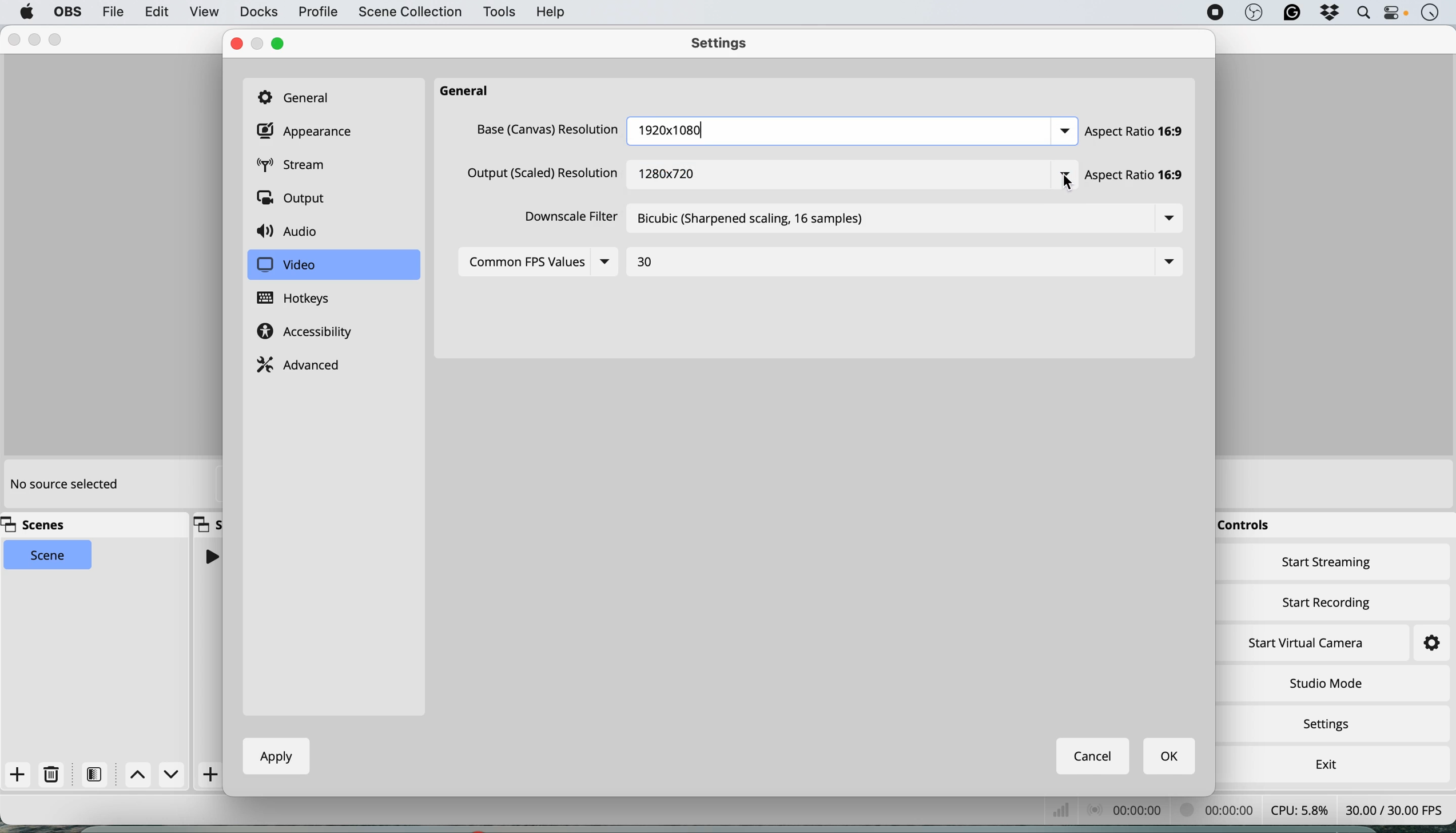  I want to click on settings, so click(1421, 644).